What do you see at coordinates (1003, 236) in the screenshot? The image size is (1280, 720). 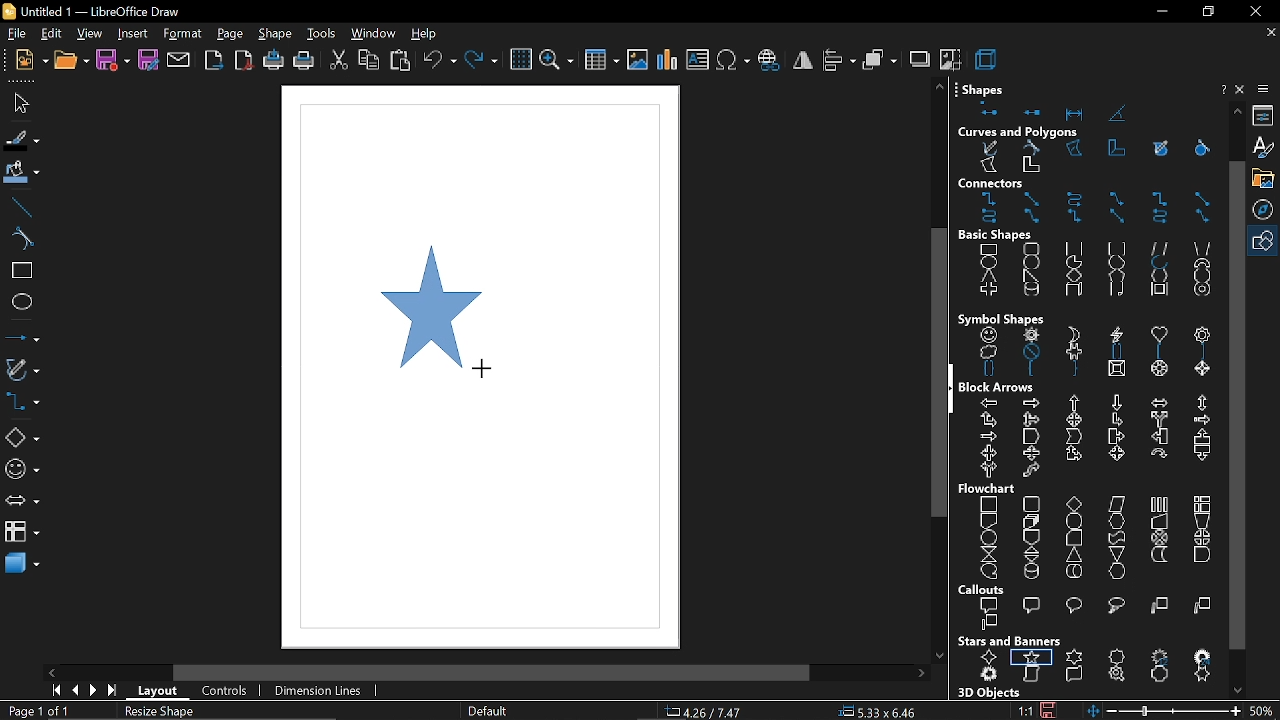 I see `basic shapes` at bounding box center [1003, 236].